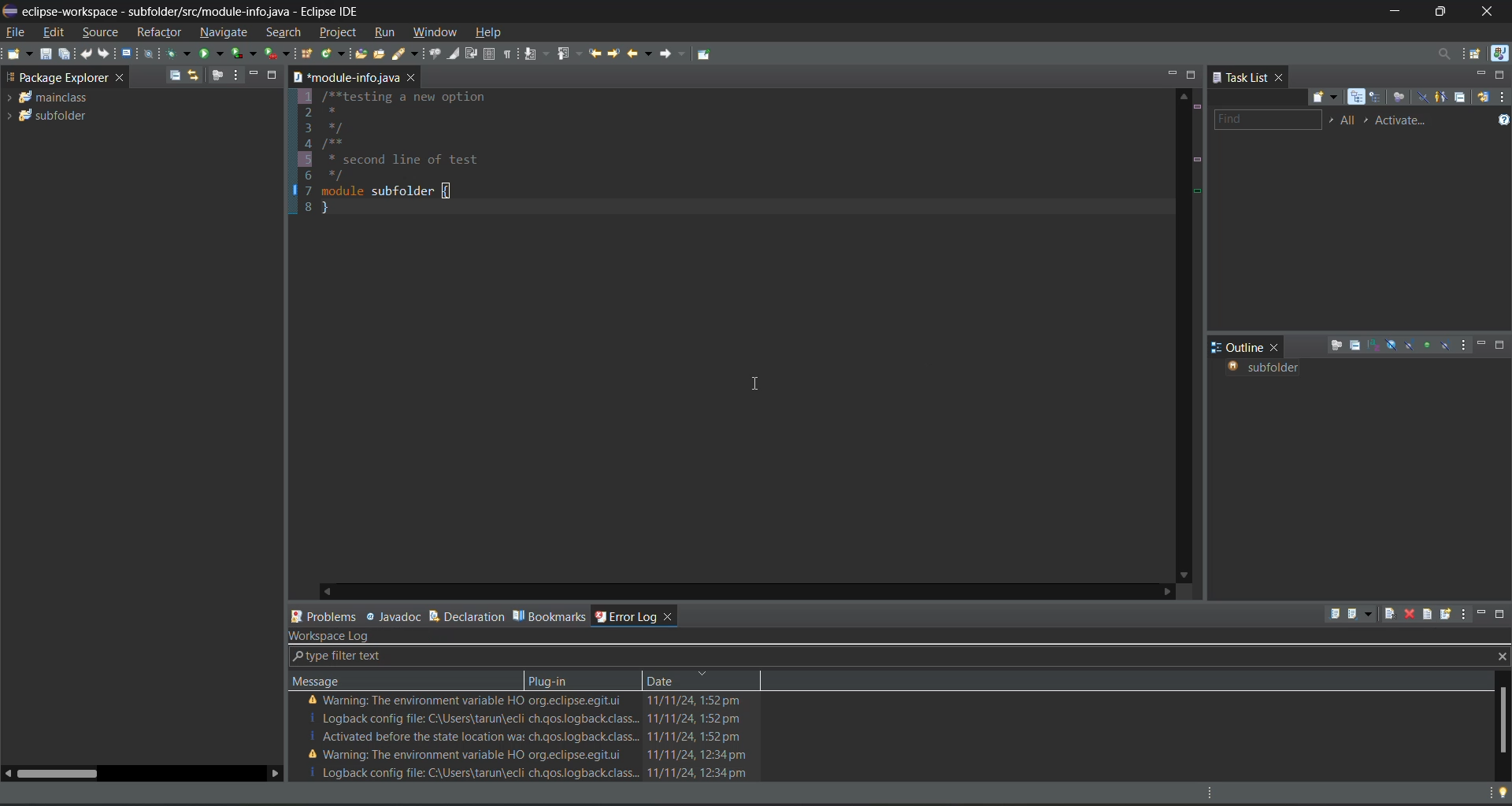 Image resolution: width=1512 pixels, height=806 pixels. Describe the element at coordinates (1330, 97) in the screenshot. I see `new task` at that location.